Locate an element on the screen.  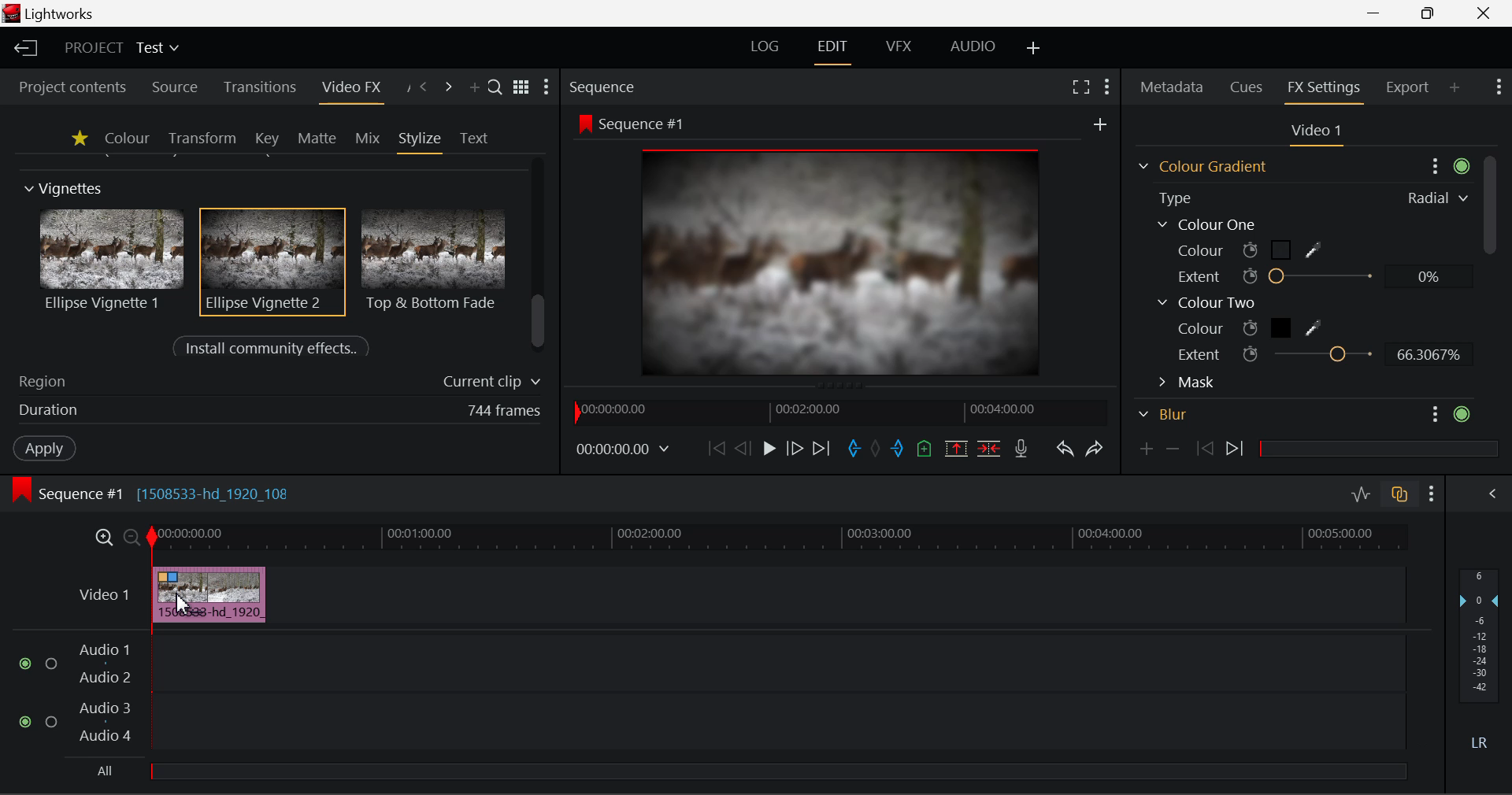
Matte is located at coordinates (317, 138).